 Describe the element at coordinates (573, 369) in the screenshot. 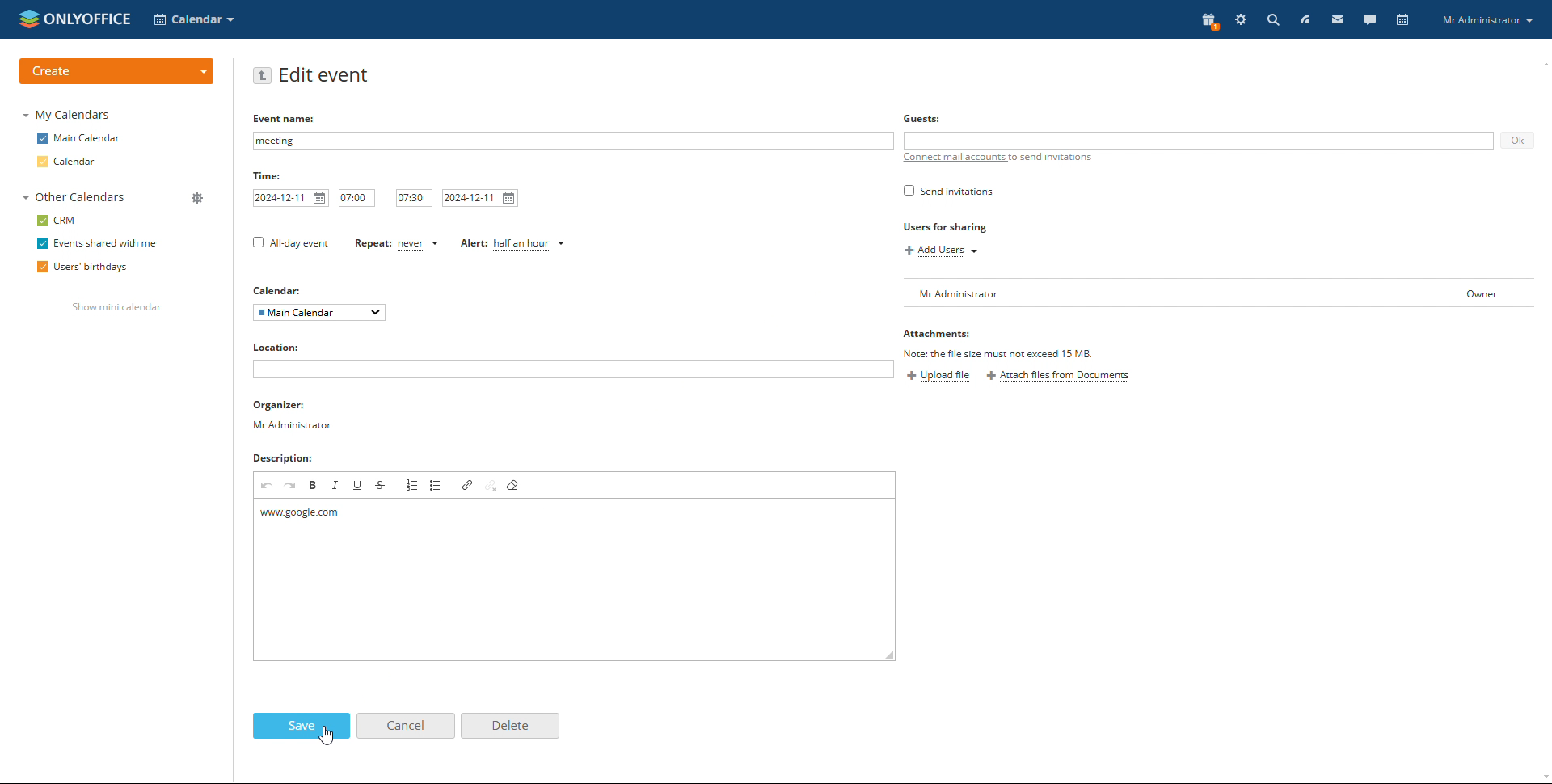

I see `add location` at that location.